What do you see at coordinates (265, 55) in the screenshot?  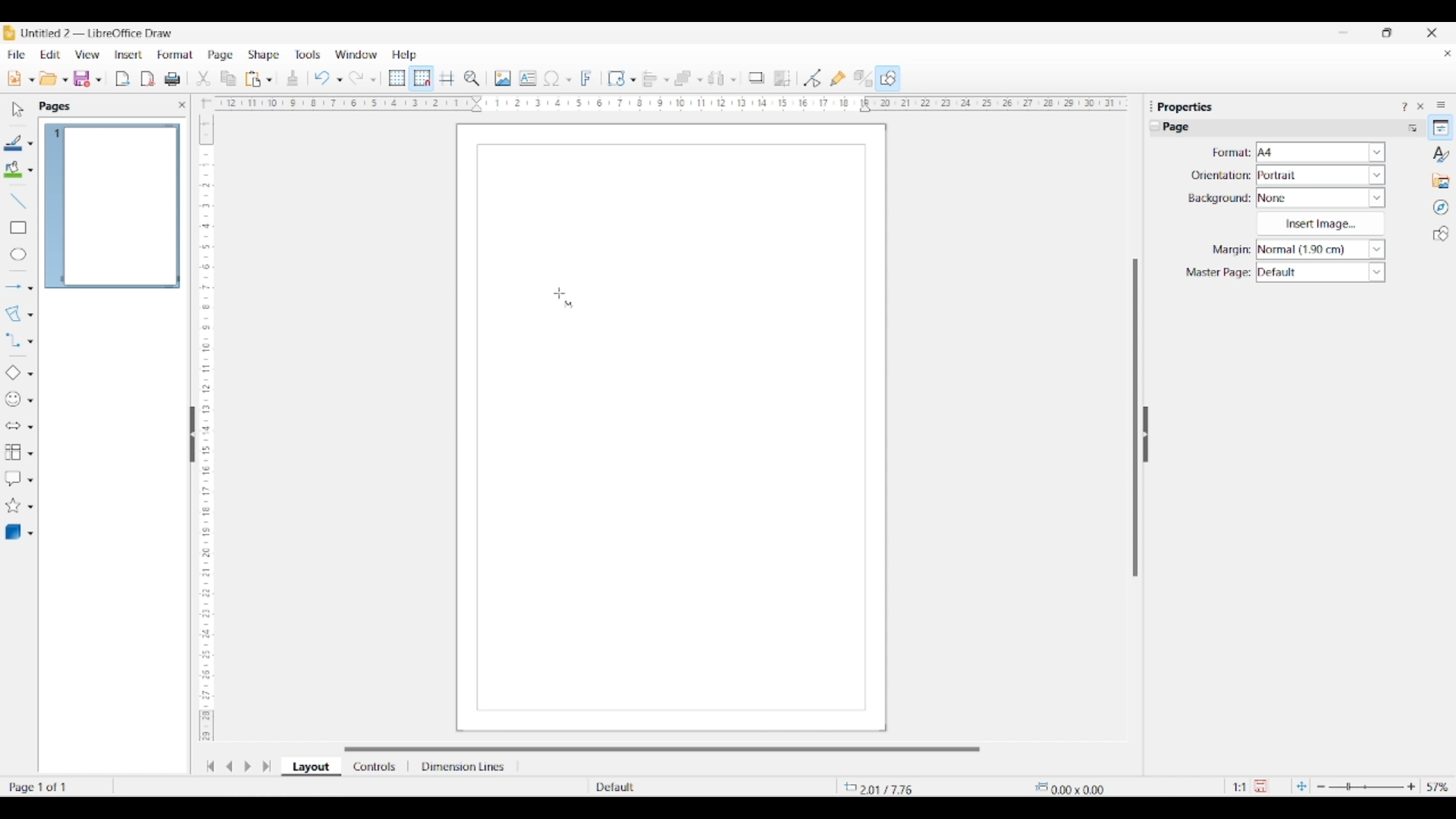 I see `Shape` at bounding box center [265, 55].